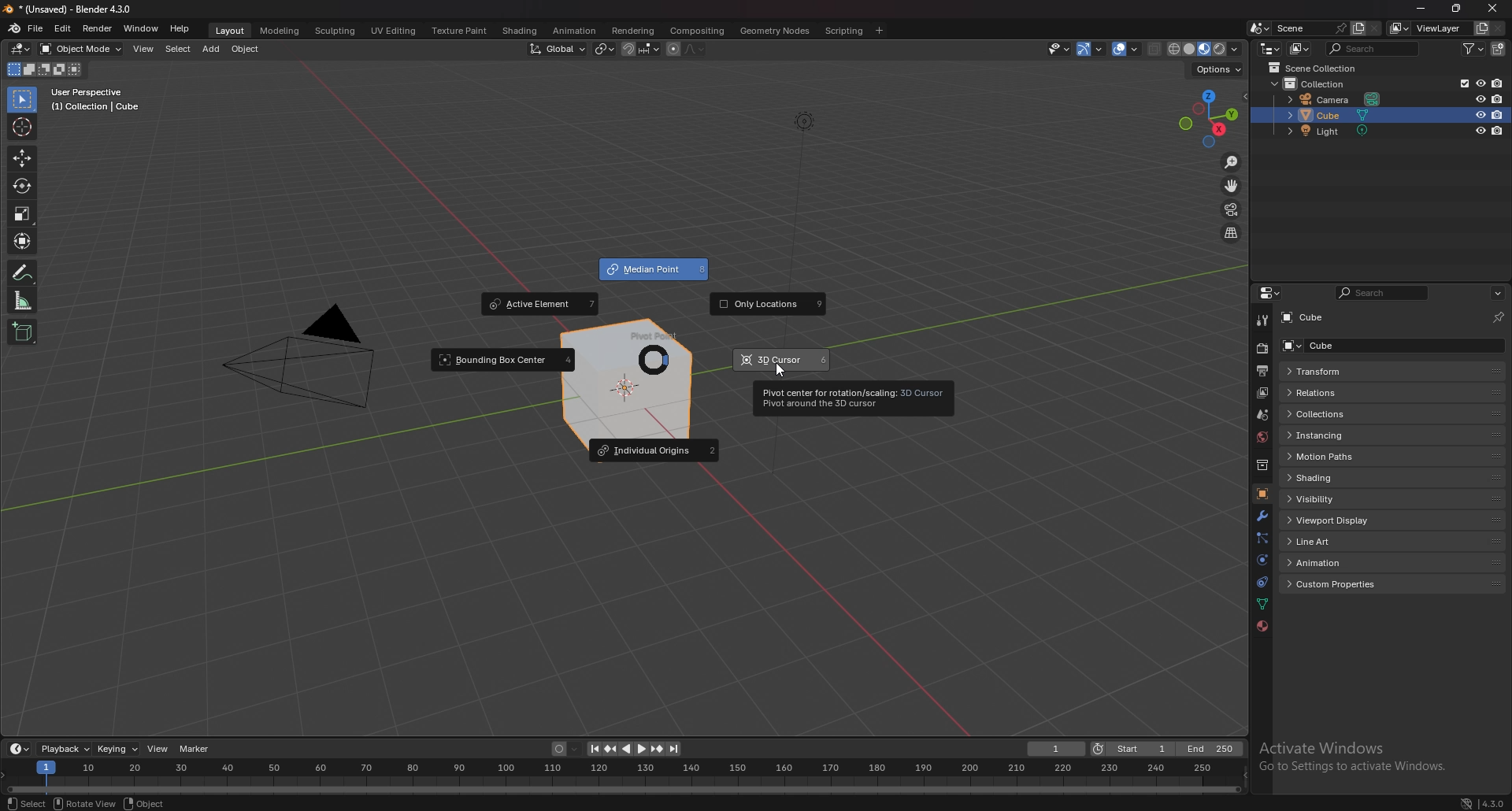 Image resolution: width=1512 pixels, height=811 pixels. What do you see at coordinates (1057, 748) in the screenshot?
I see `current frame` at bounding box center [1057, 748].